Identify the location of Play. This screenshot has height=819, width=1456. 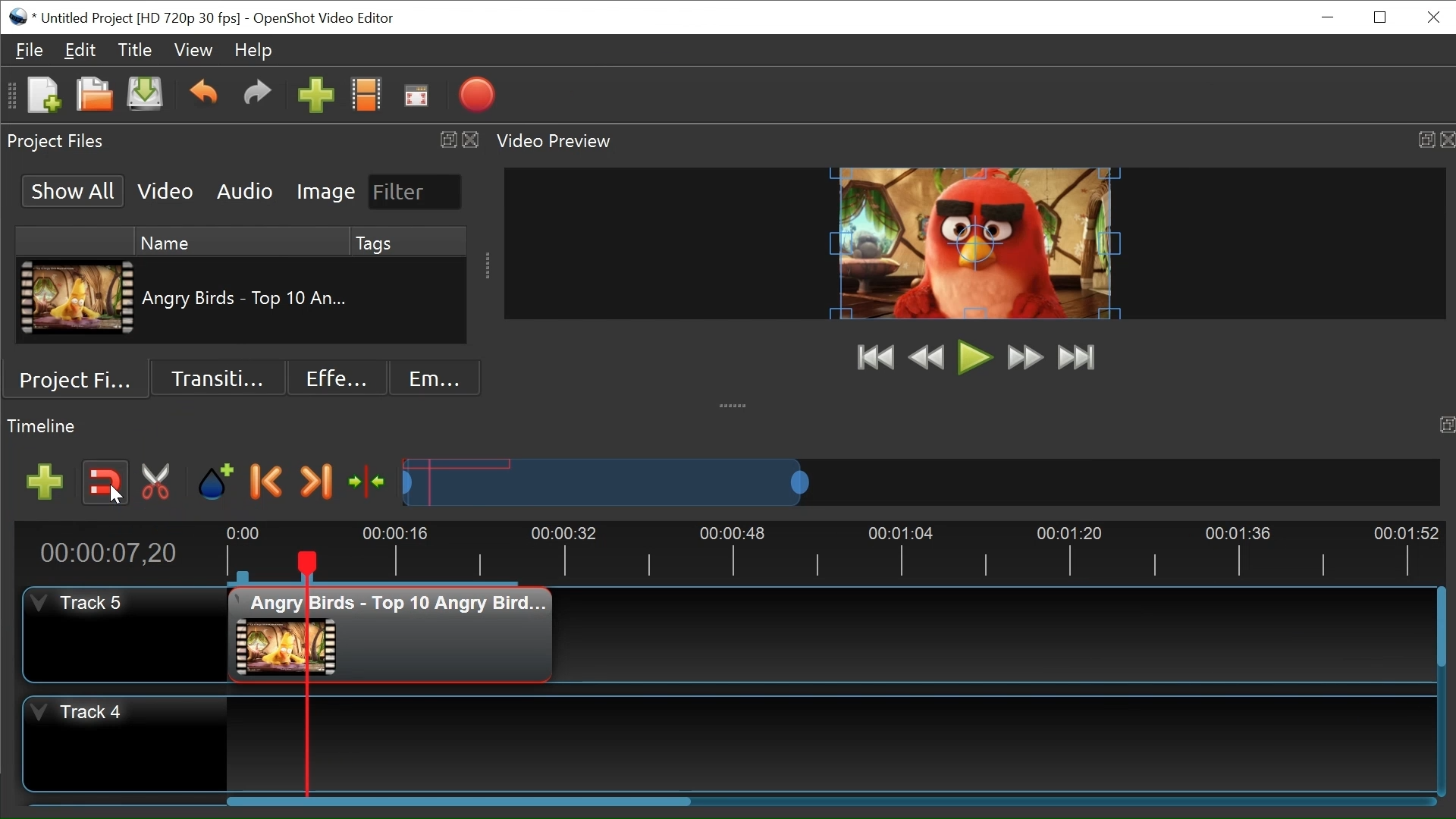
(975, 358).